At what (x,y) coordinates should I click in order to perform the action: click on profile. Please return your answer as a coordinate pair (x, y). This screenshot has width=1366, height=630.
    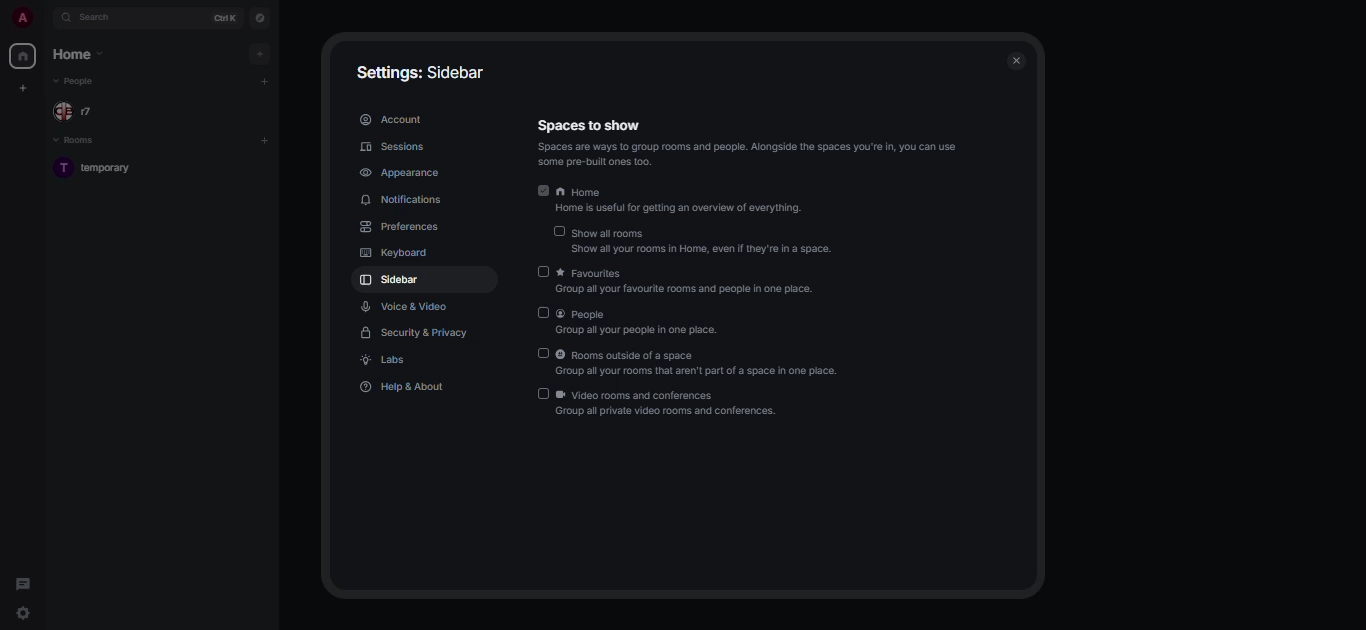
    Looking at the image, I should click on (17, 16).